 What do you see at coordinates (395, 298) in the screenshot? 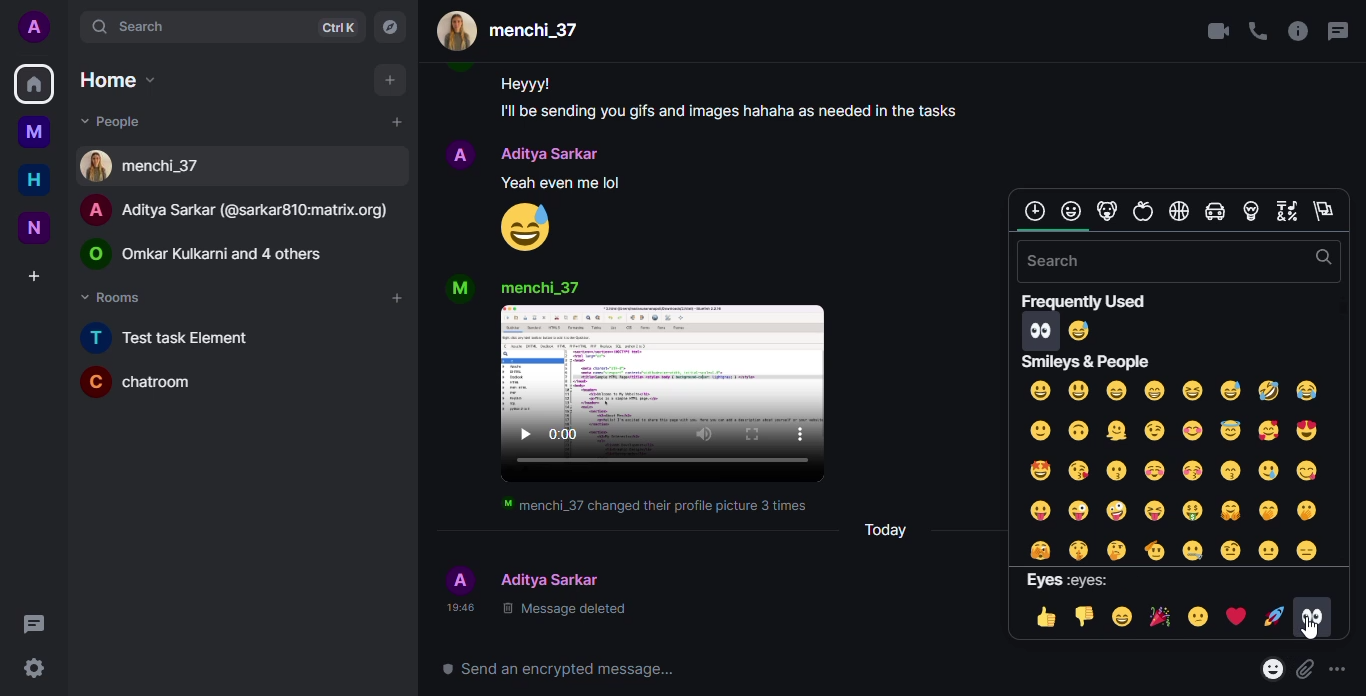
I see `add` at bounding box center [395, 298].